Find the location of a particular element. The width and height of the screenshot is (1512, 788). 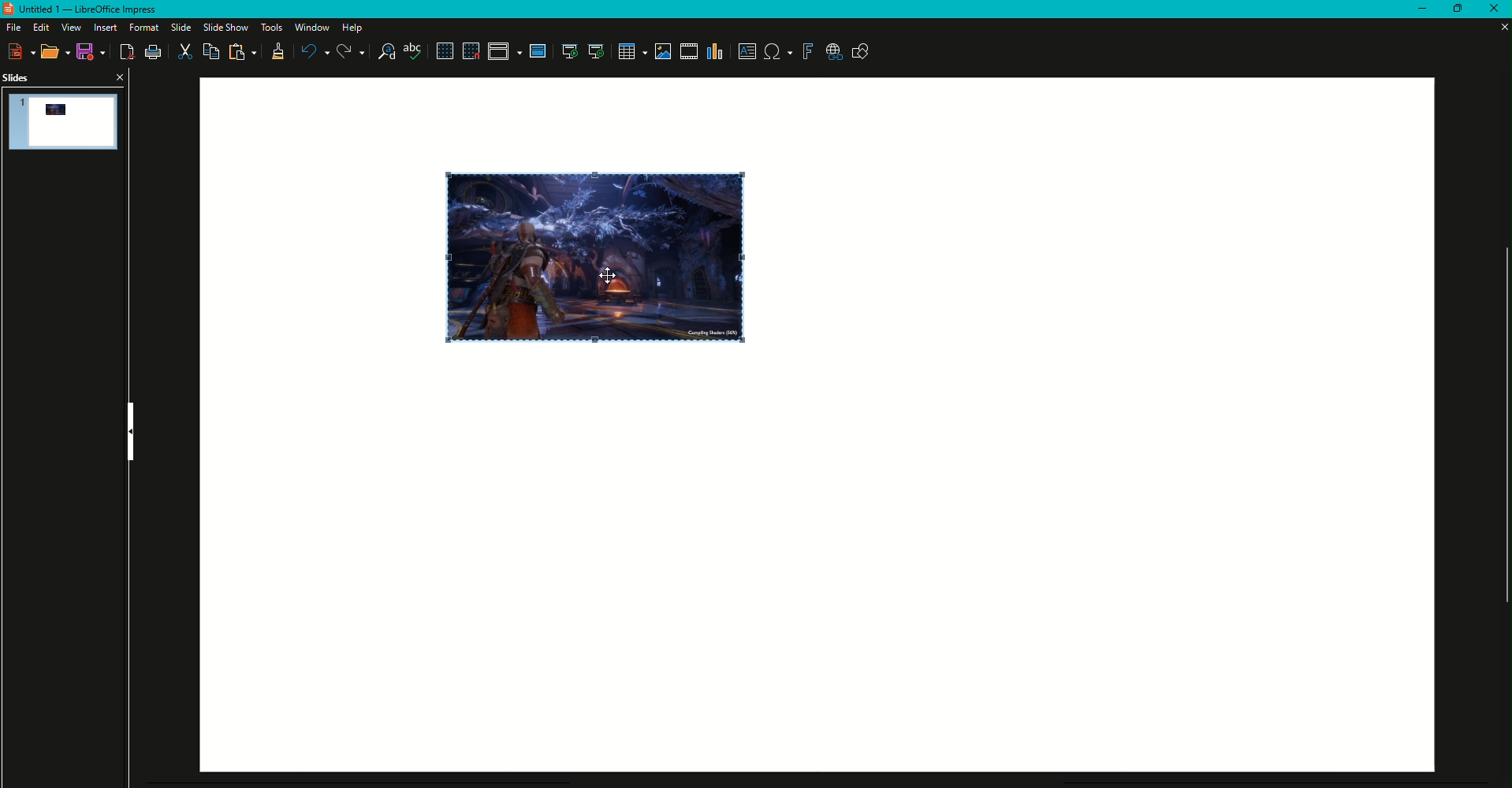

First Slide is located at coordinates (568, 53).